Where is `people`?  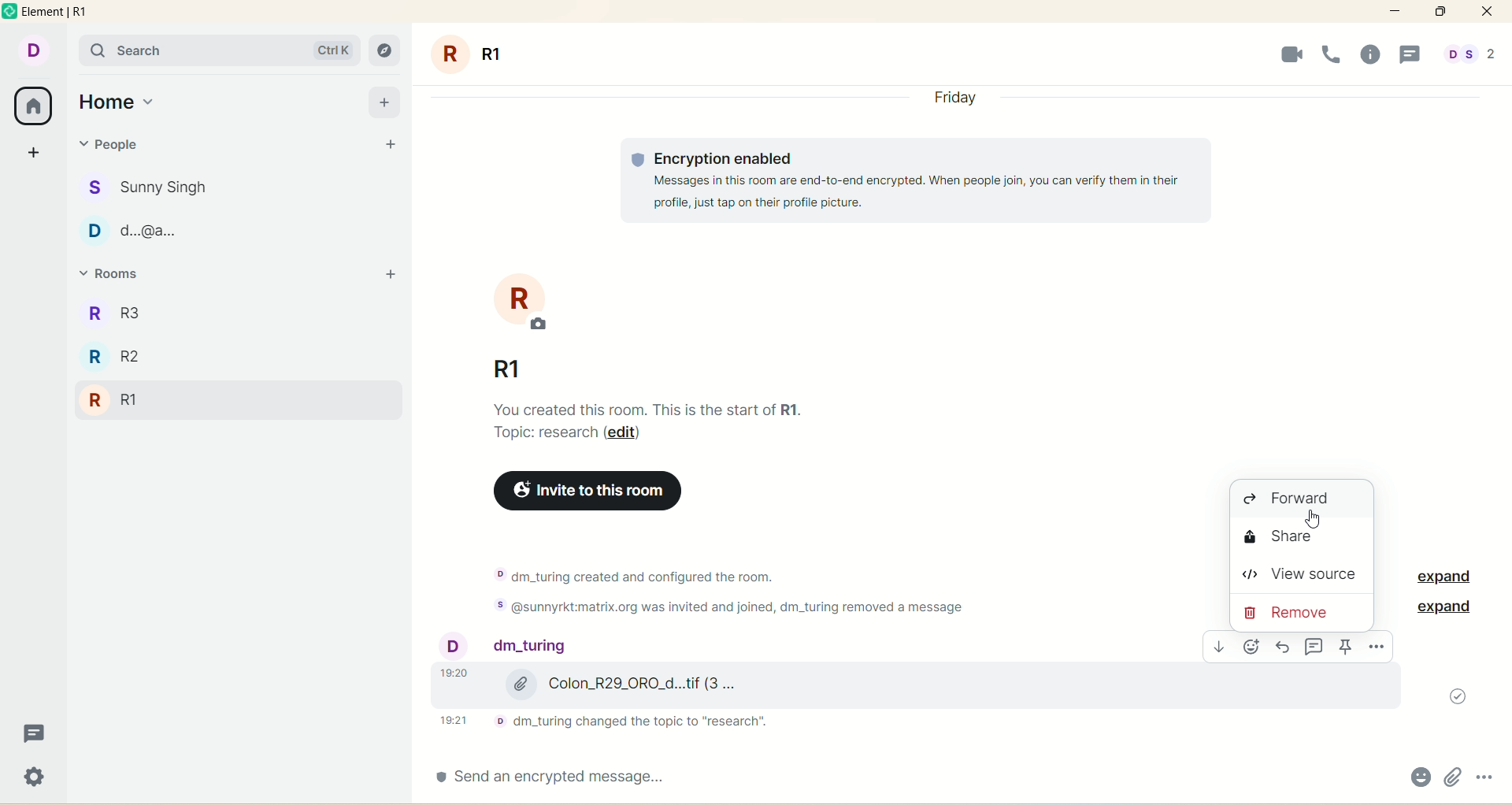 people is located at coordinates (508, 647).